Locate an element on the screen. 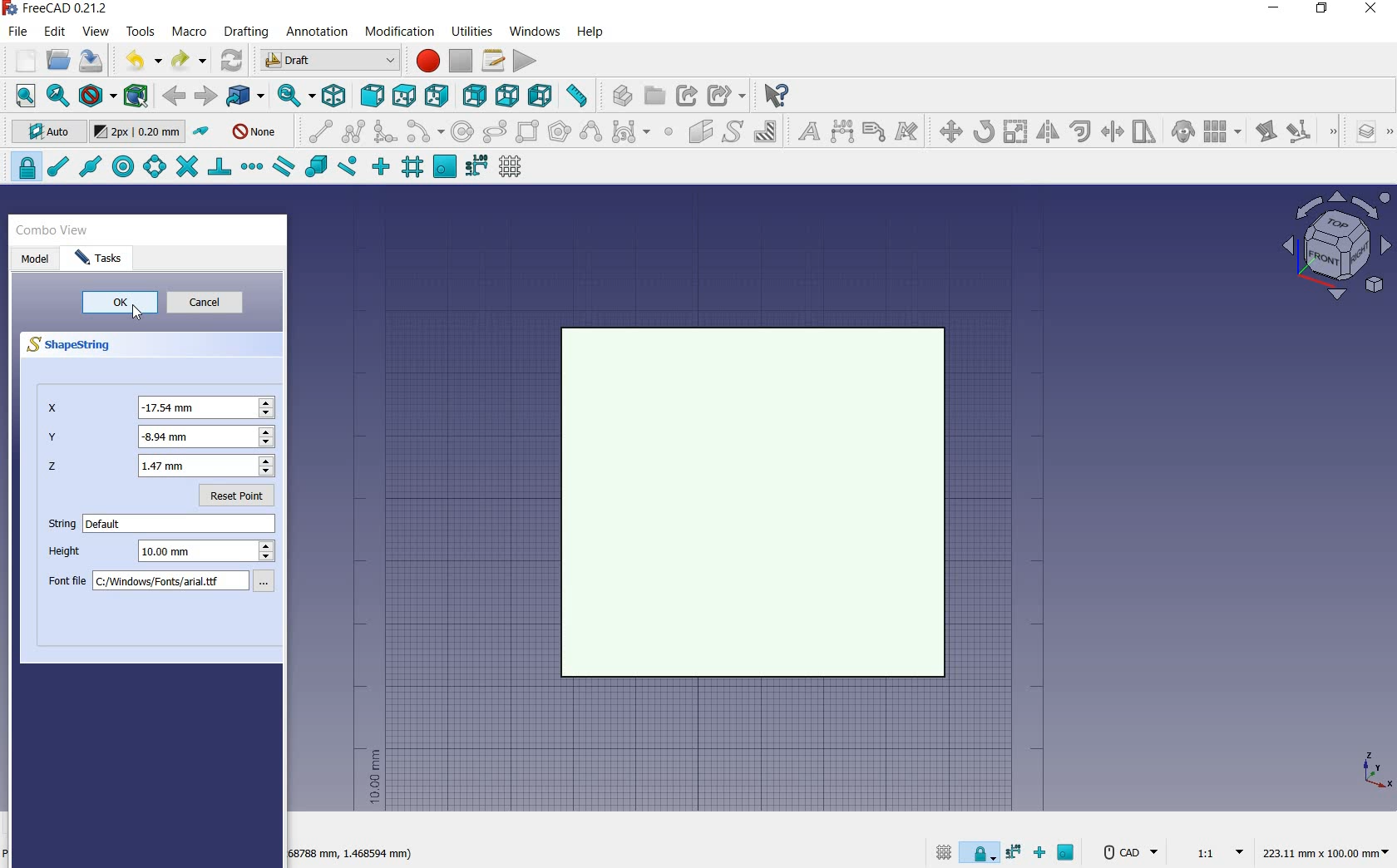  windows is located at coordinates (536, 31).